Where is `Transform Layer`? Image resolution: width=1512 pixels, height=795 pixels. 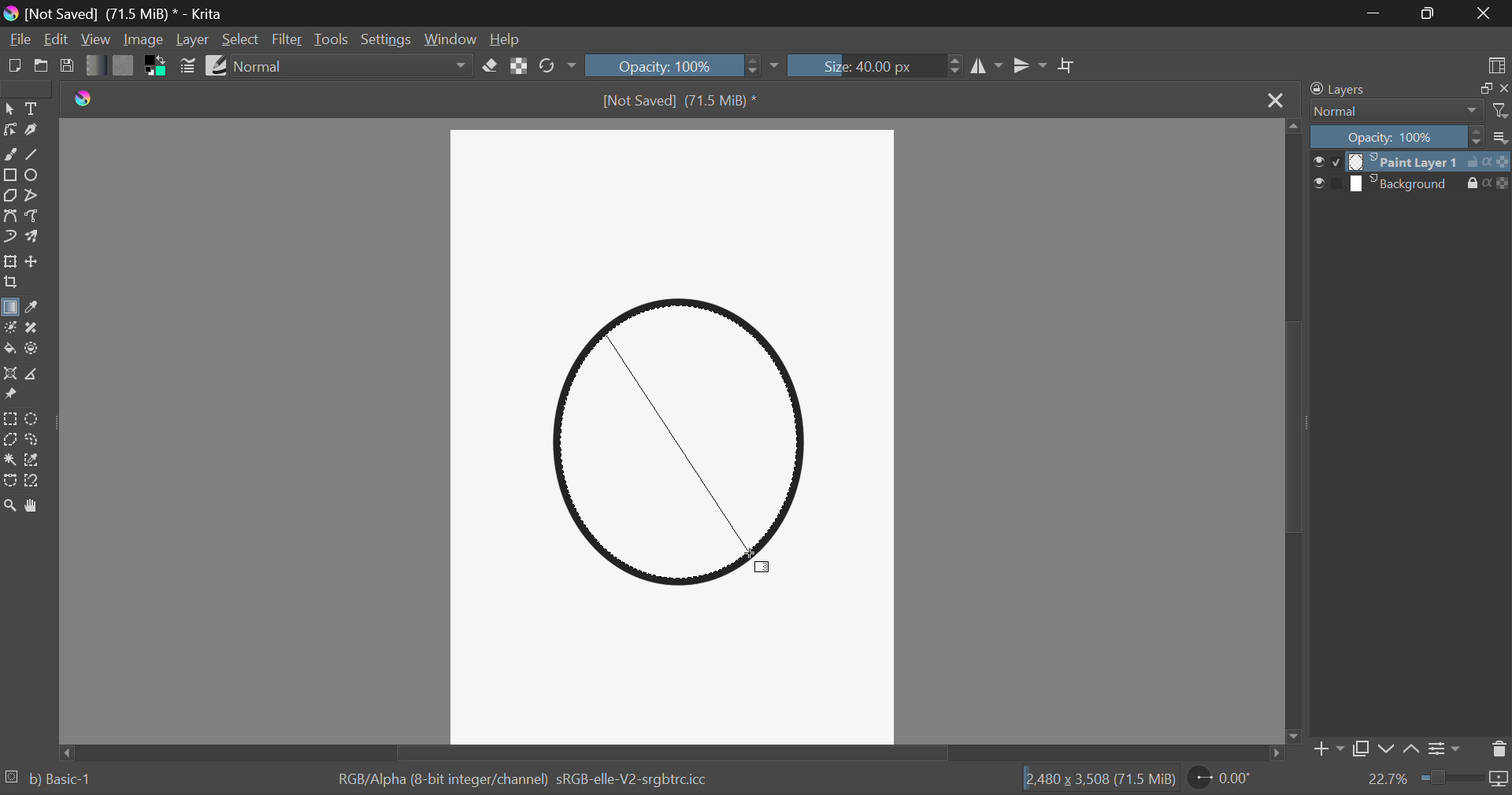 Transform Layer is located at coordinates (11, 263).